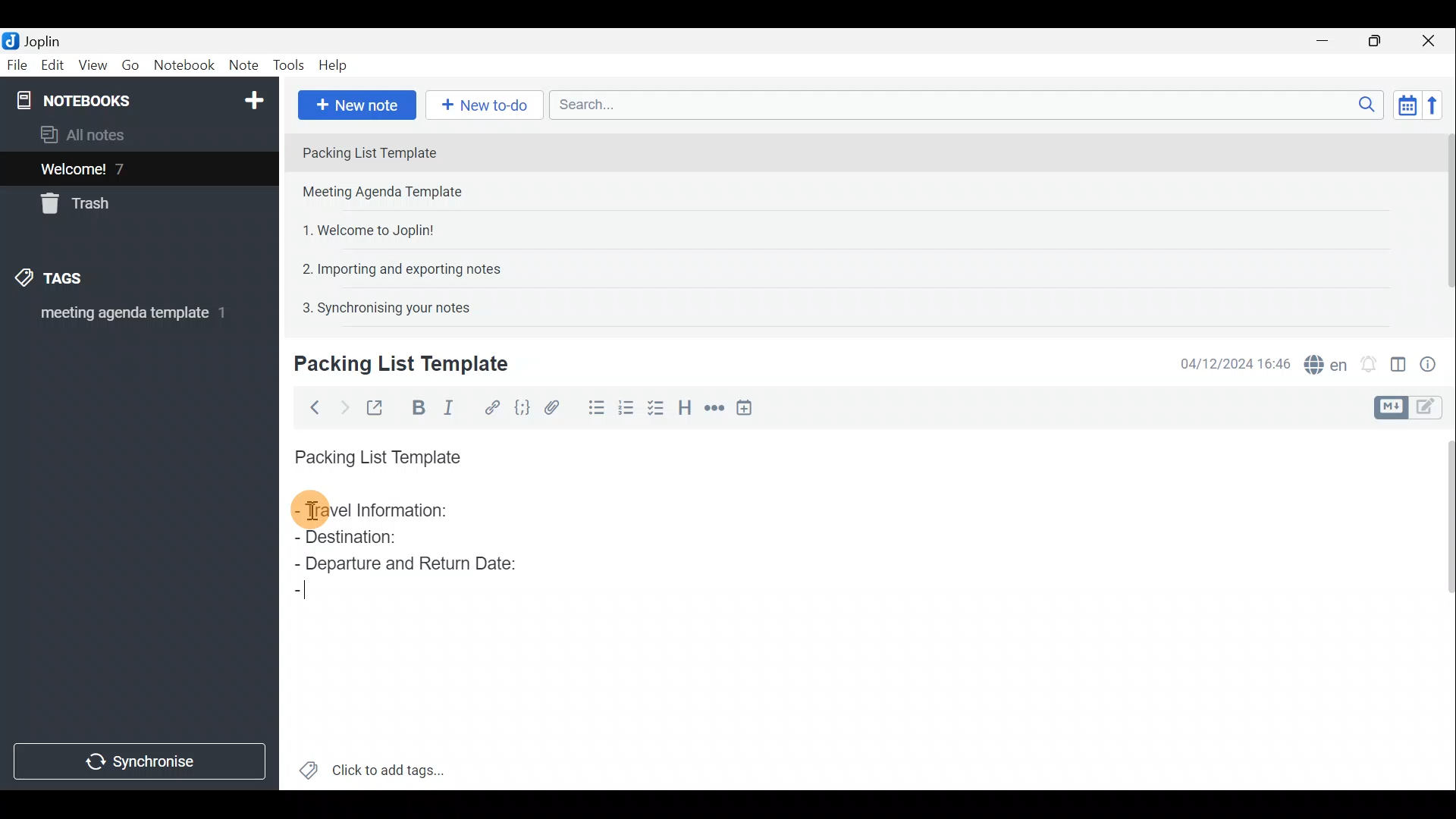 The height and width of the screenshot is (819, 1456). What do you see at coordinates (137, 99) in the screenshot?
I see `Notebook` at bounding box center [137, 99].